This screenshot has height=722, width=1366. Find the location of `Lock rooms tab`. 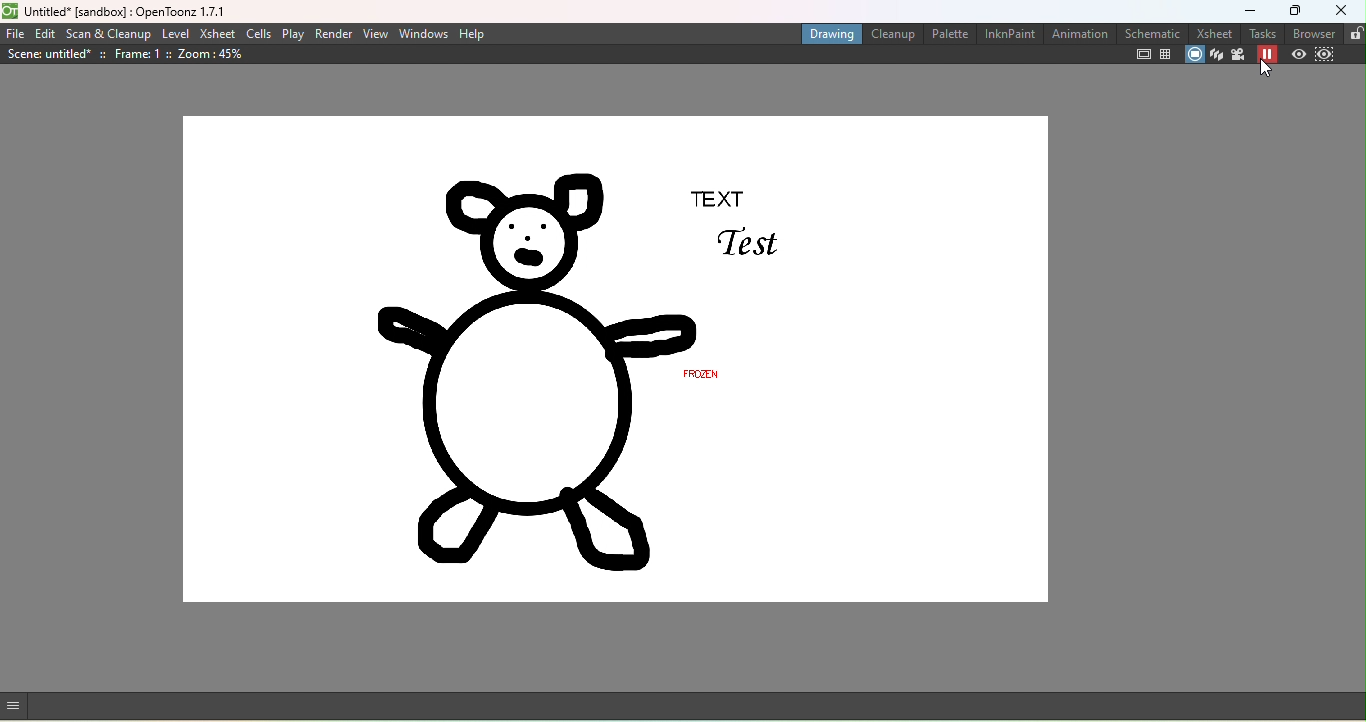

Lock rooms tab is located at coordinates (1353, 32).